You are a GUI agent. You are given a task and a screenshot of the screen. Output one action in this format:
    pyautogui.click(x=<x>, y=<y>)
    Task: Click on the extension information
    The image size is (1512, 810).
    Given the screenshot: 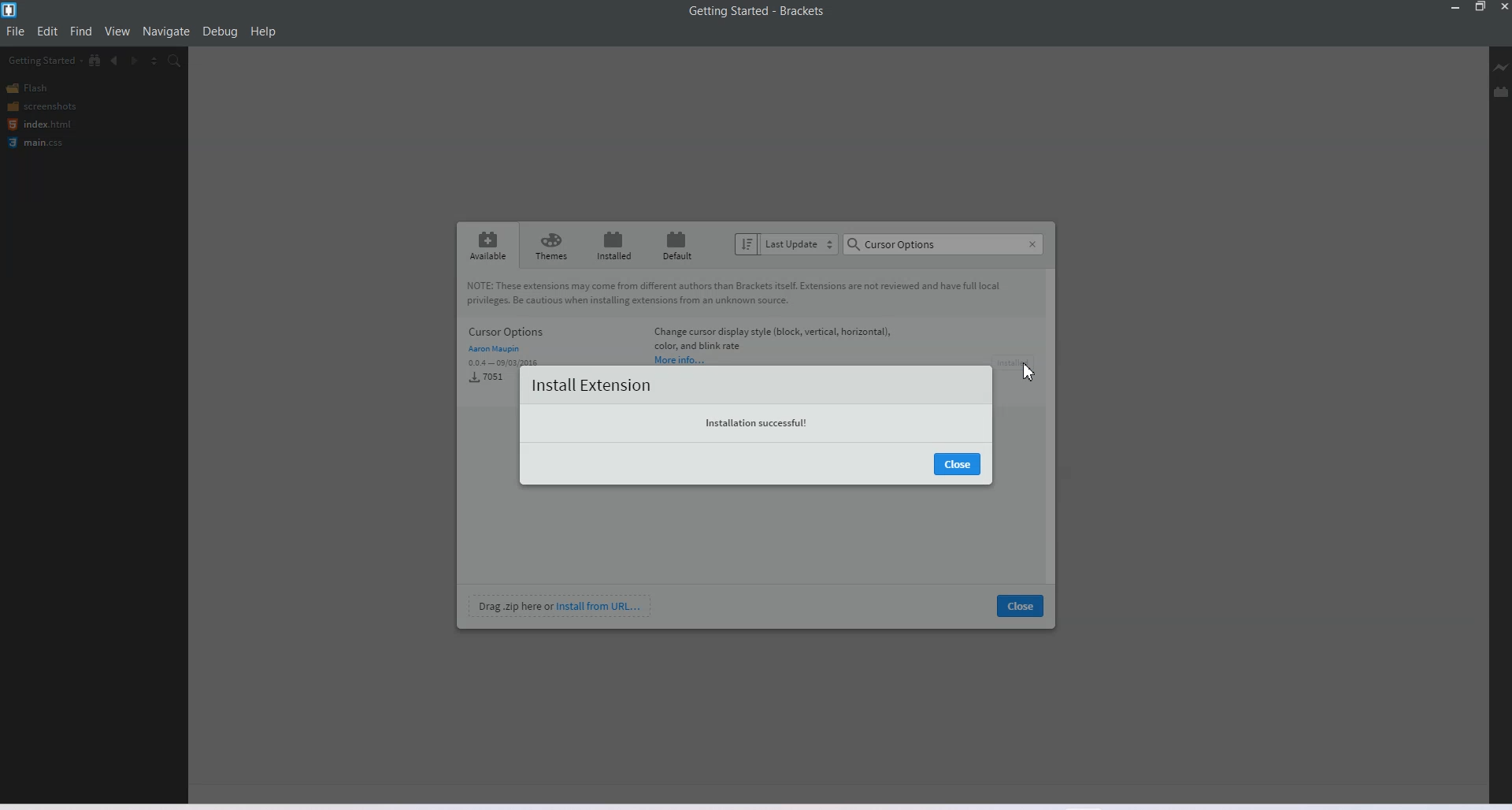 What is the action you would take?
    pyautogui.click(x=772, y=339)
    